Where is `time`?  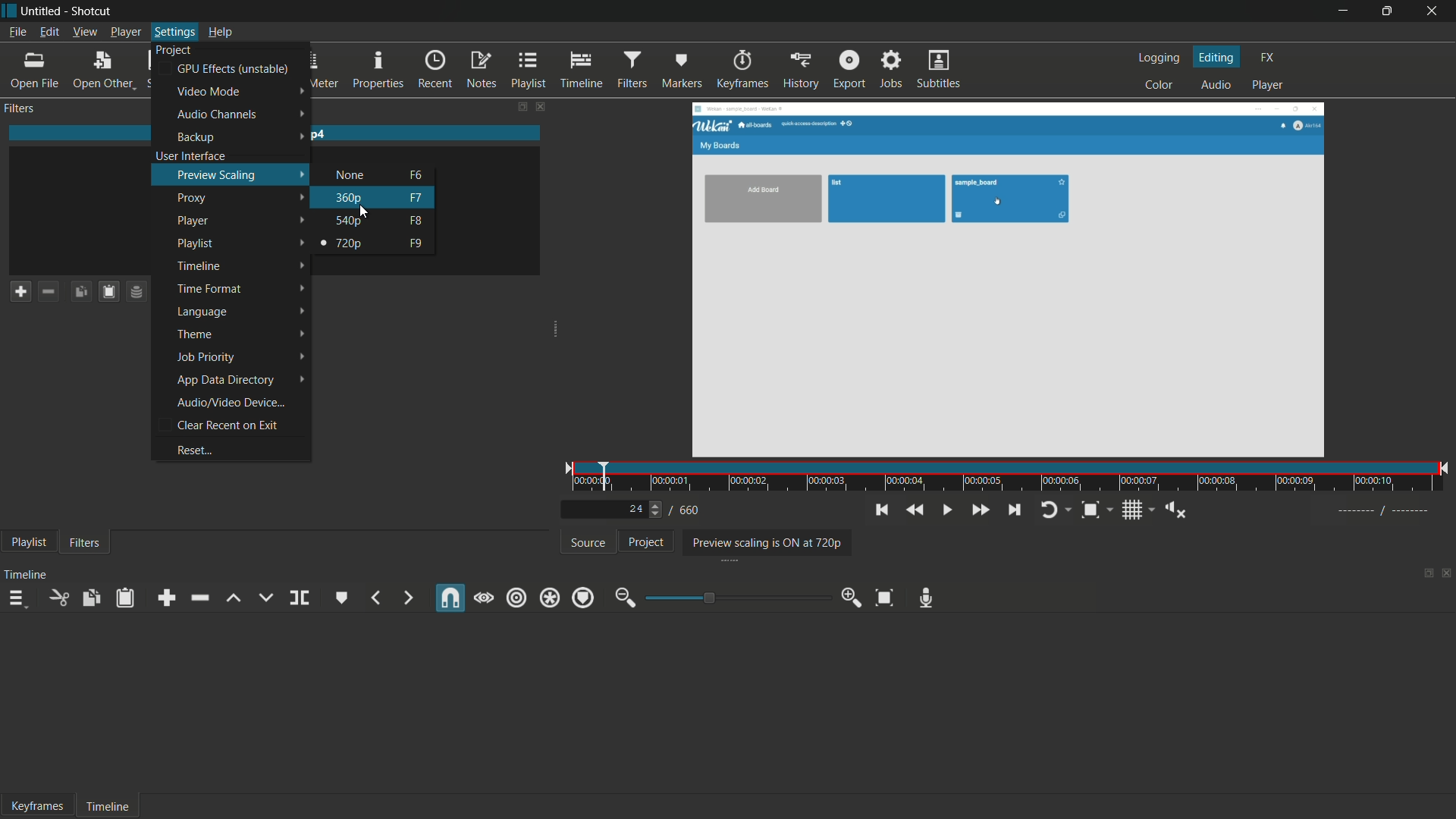 time is located at coordinates (1012, 479).